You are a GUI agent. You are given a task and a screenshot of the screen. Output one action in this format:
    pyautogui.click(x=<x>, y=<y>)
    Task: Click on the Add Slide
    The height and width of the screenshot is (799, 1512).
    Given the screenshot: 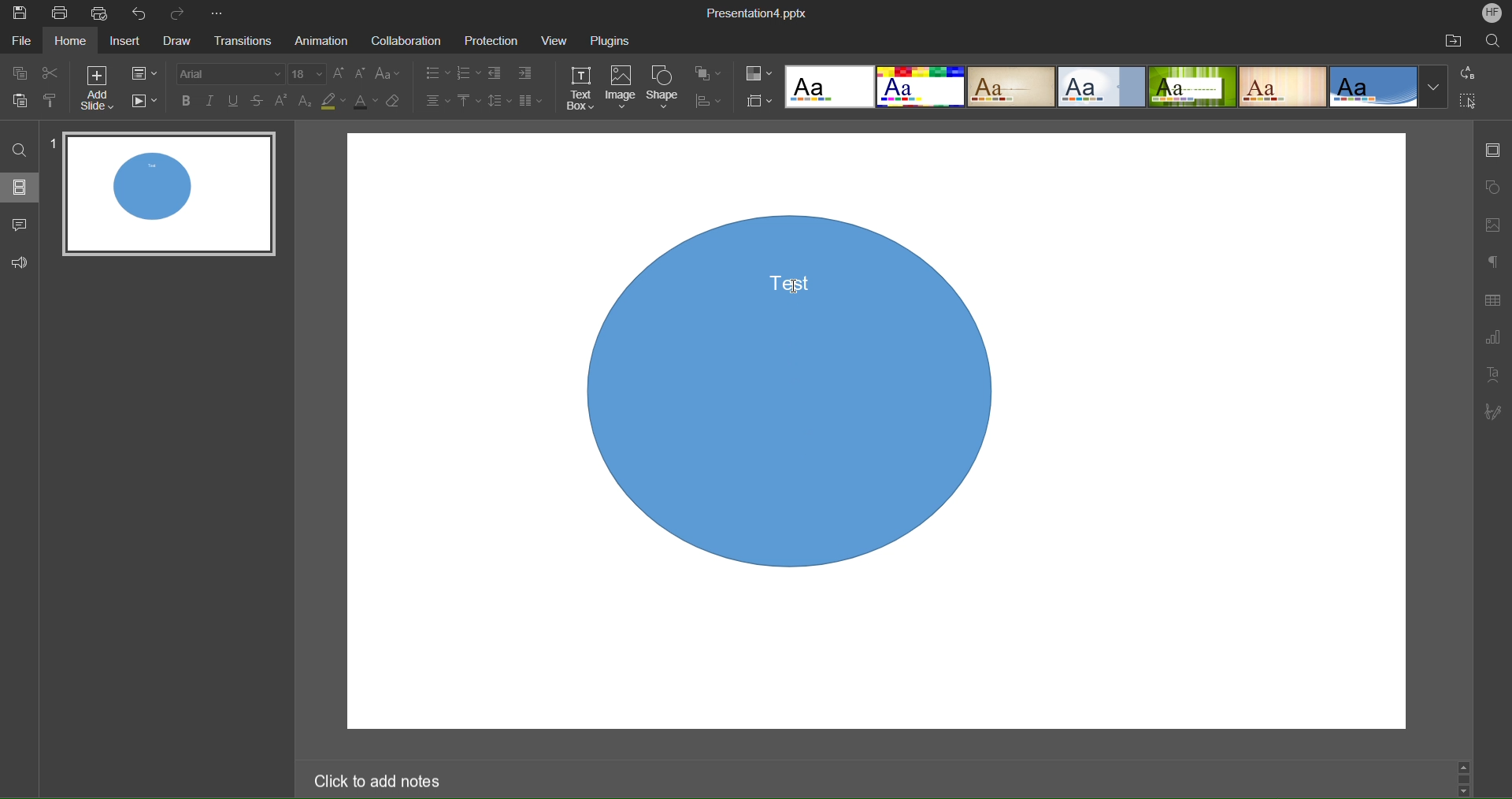 What is the action you would take?
    pyautogui.click(x=97, y=91)
    